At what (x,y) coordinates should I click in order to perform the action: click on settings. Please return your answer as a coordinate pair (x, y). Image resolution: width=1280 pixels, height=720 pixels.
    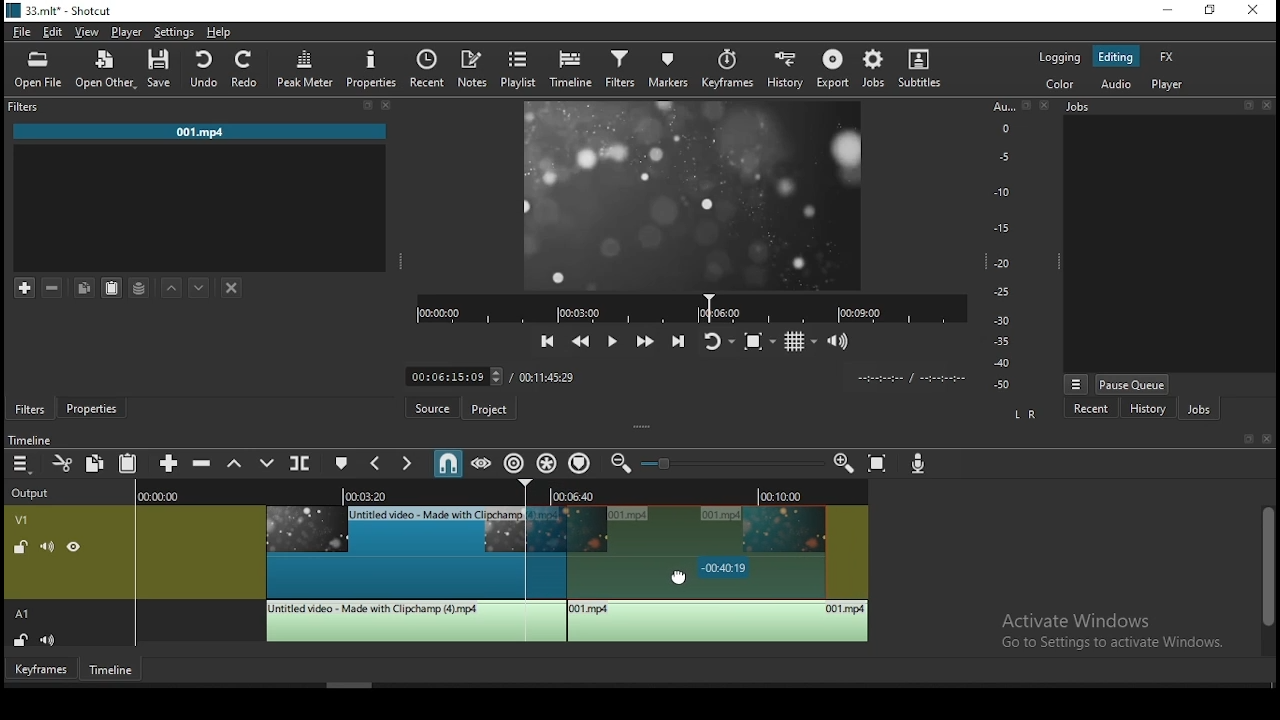
    Looking at the image, I should click on (172, 33).